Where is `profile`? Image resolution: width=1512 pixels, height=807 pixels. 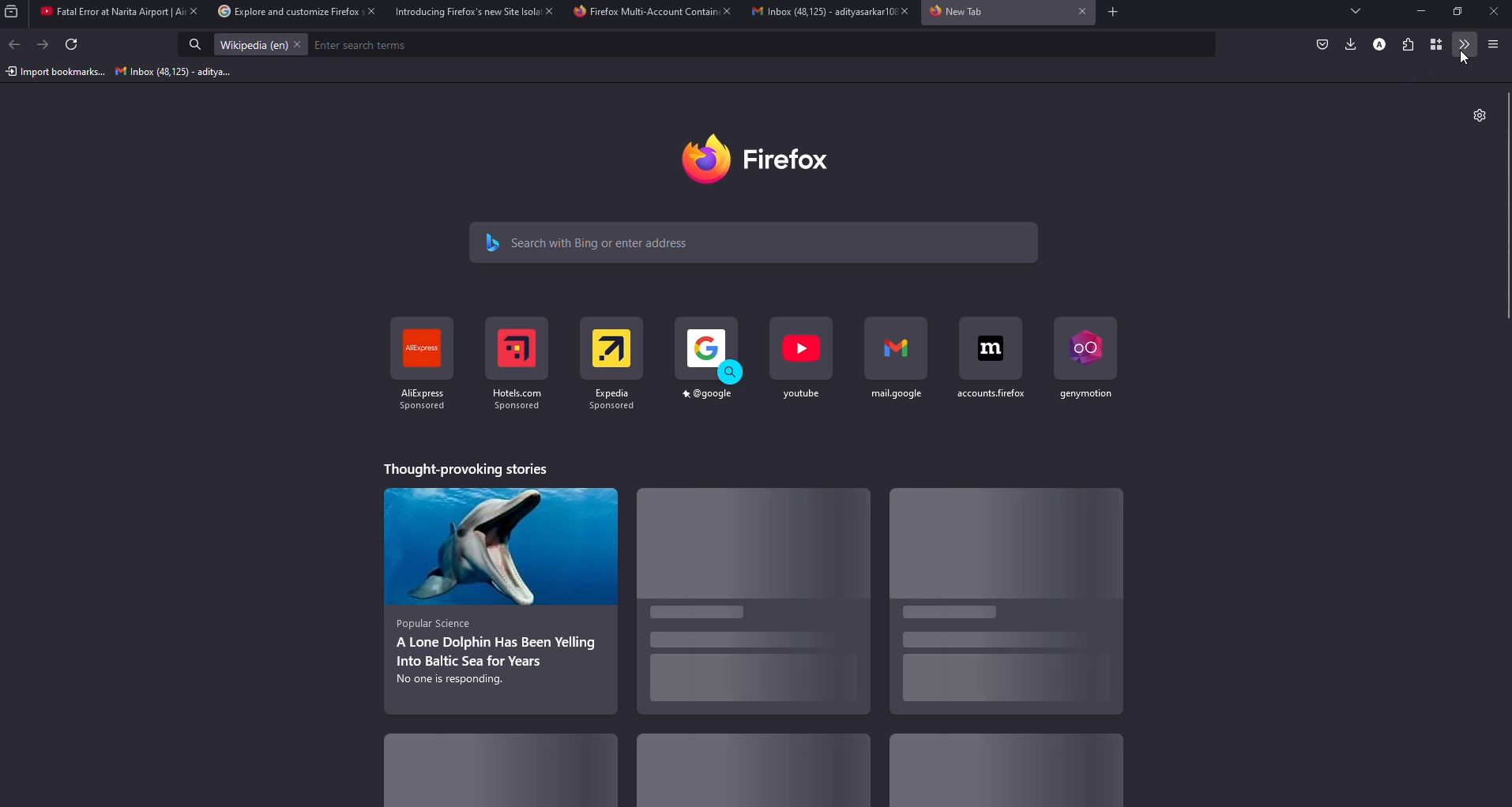 profile is located at coordinates (1378, 43).